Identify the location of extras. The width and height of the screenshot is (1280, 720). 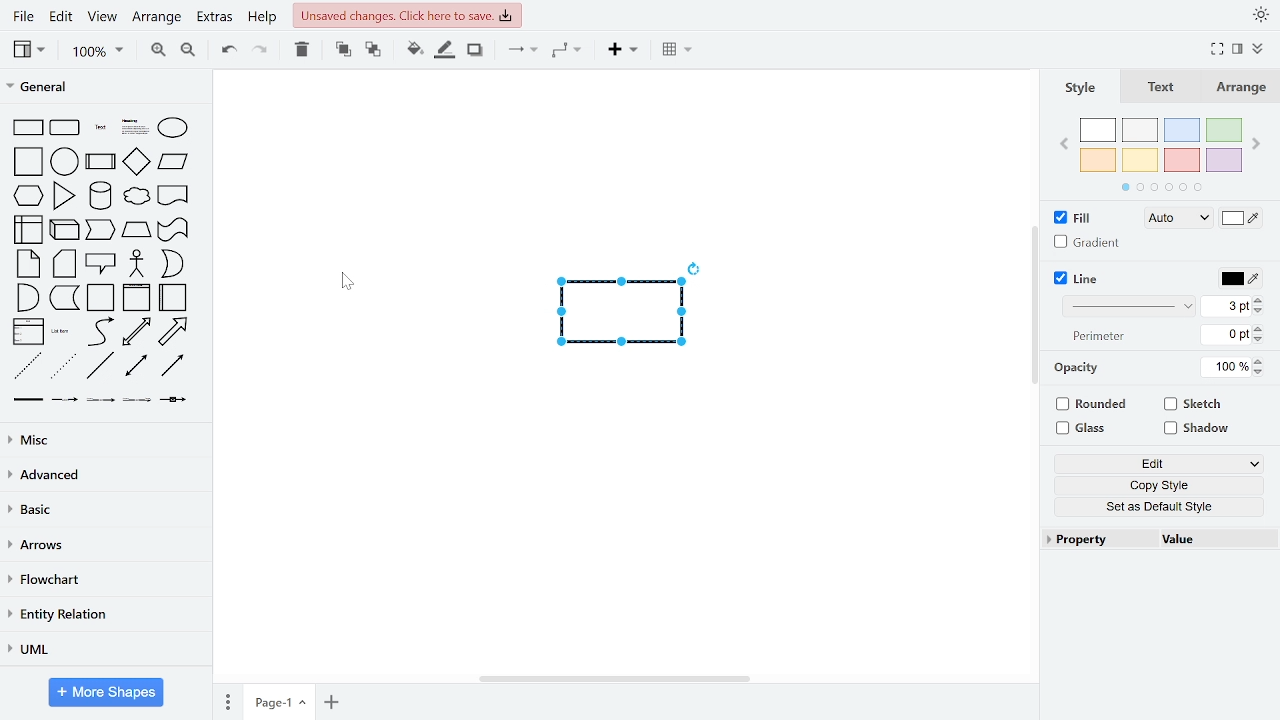
(214, 17).